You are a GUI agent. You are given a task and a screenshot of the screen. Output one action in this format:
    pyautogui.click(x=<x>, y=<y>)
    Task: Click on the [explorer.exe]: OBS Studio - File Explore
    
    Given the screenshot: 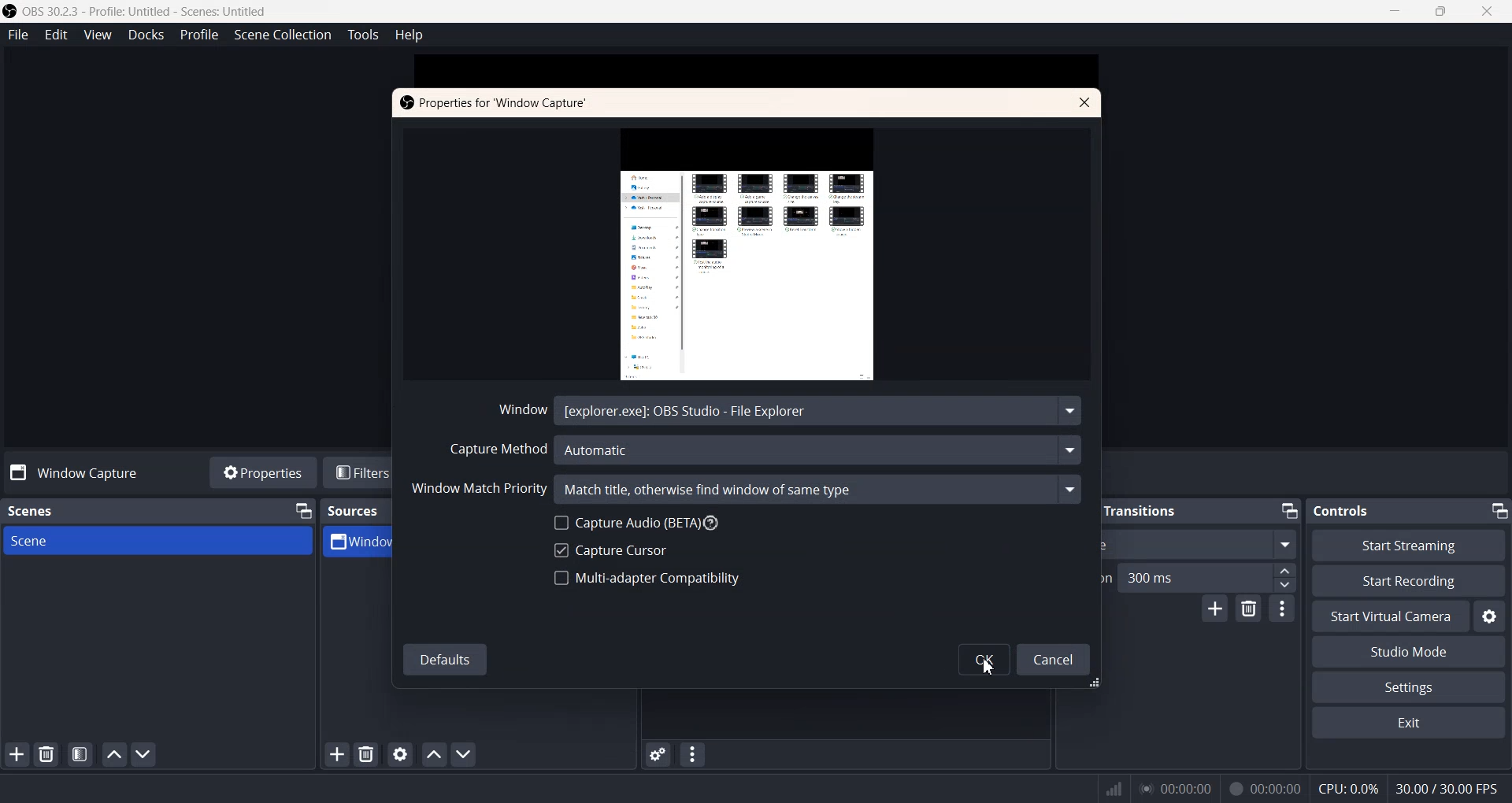 What is the action you would take?
    pyautogui.click(x=825, y=411)
    